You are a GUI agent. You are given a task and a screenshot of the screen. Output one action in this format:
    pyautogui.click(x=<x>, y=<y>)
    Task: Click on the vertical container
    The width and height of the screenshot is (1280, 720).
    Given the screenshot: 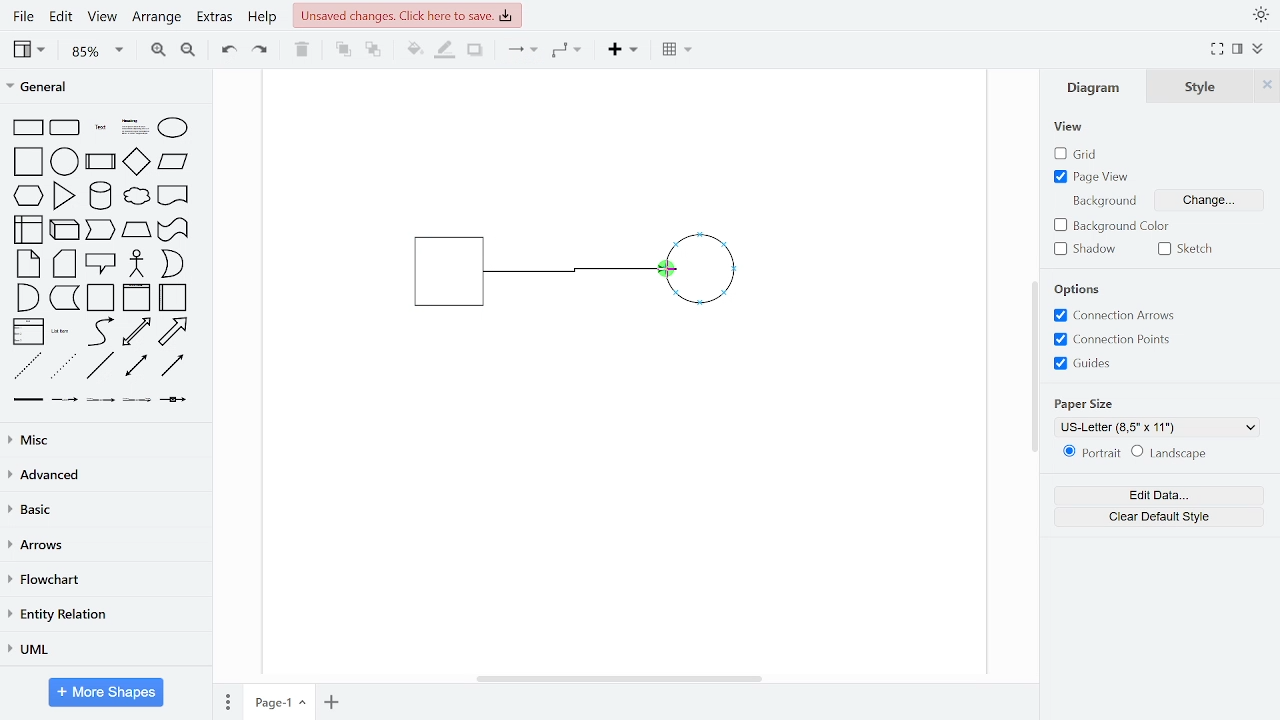 What is the action you would take?
    pyautogui.click(x=136, y=298)
    